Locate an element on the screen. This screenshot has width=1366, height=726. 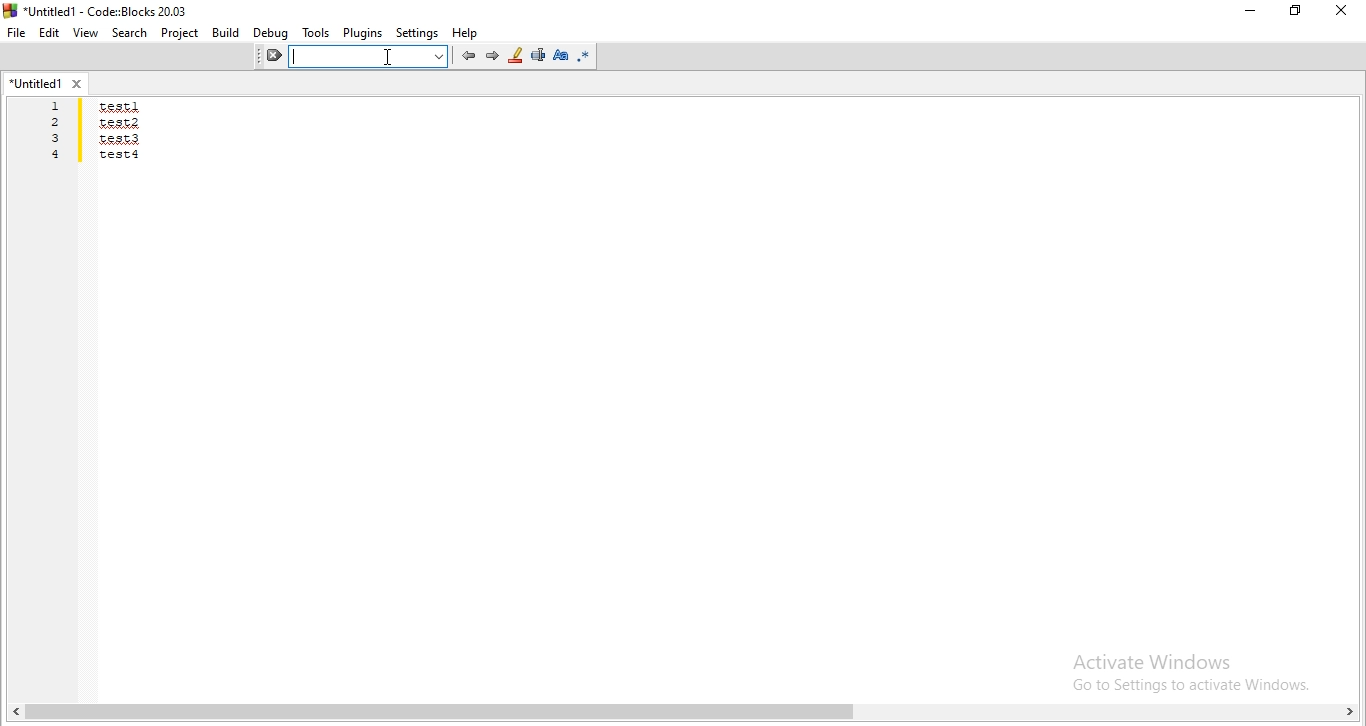
line numbers is located at coordinates (58, 132).